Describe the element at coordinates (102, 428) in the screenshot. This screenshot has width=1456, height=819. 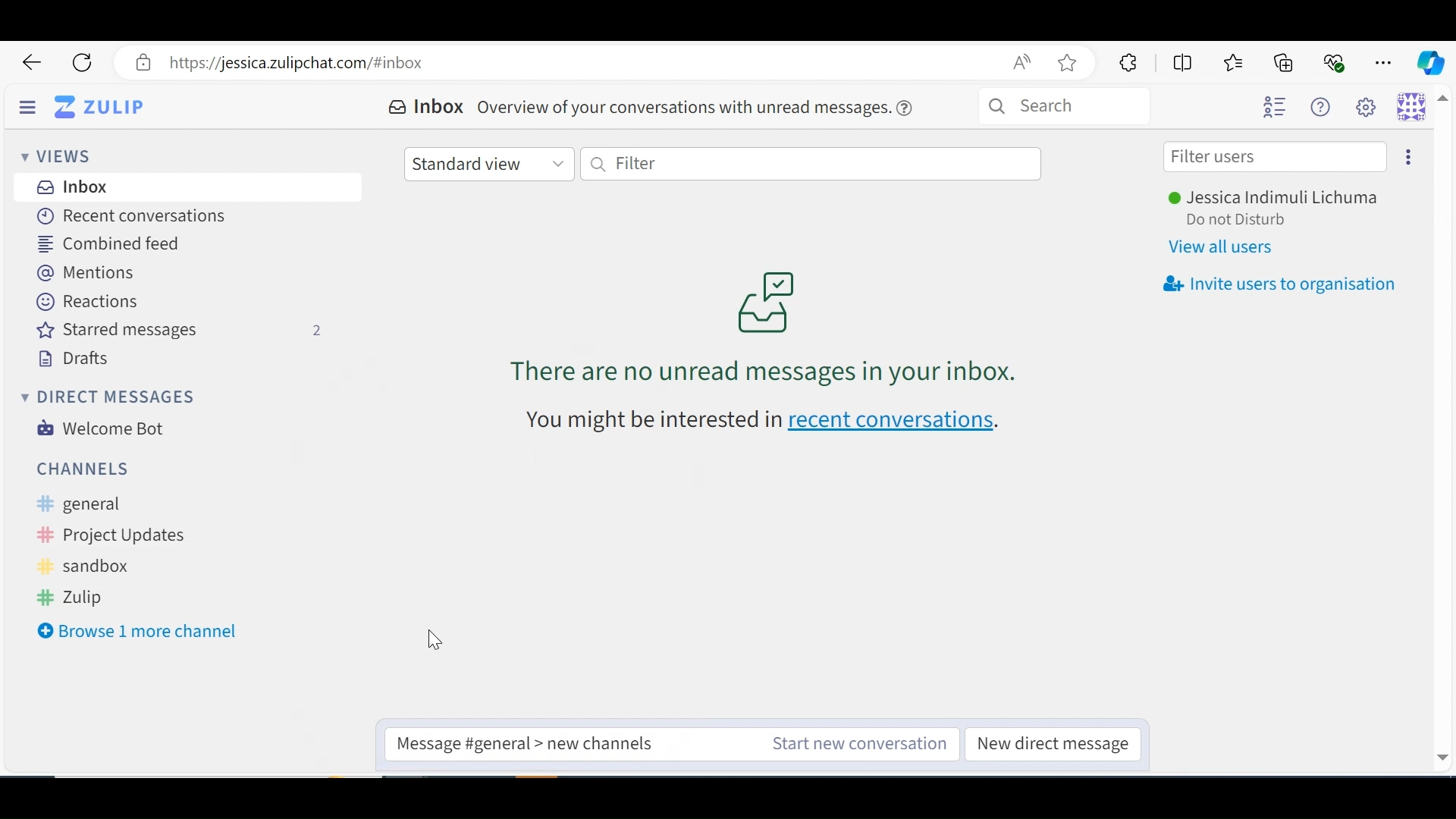
I see `Welcome Bot` at that location.